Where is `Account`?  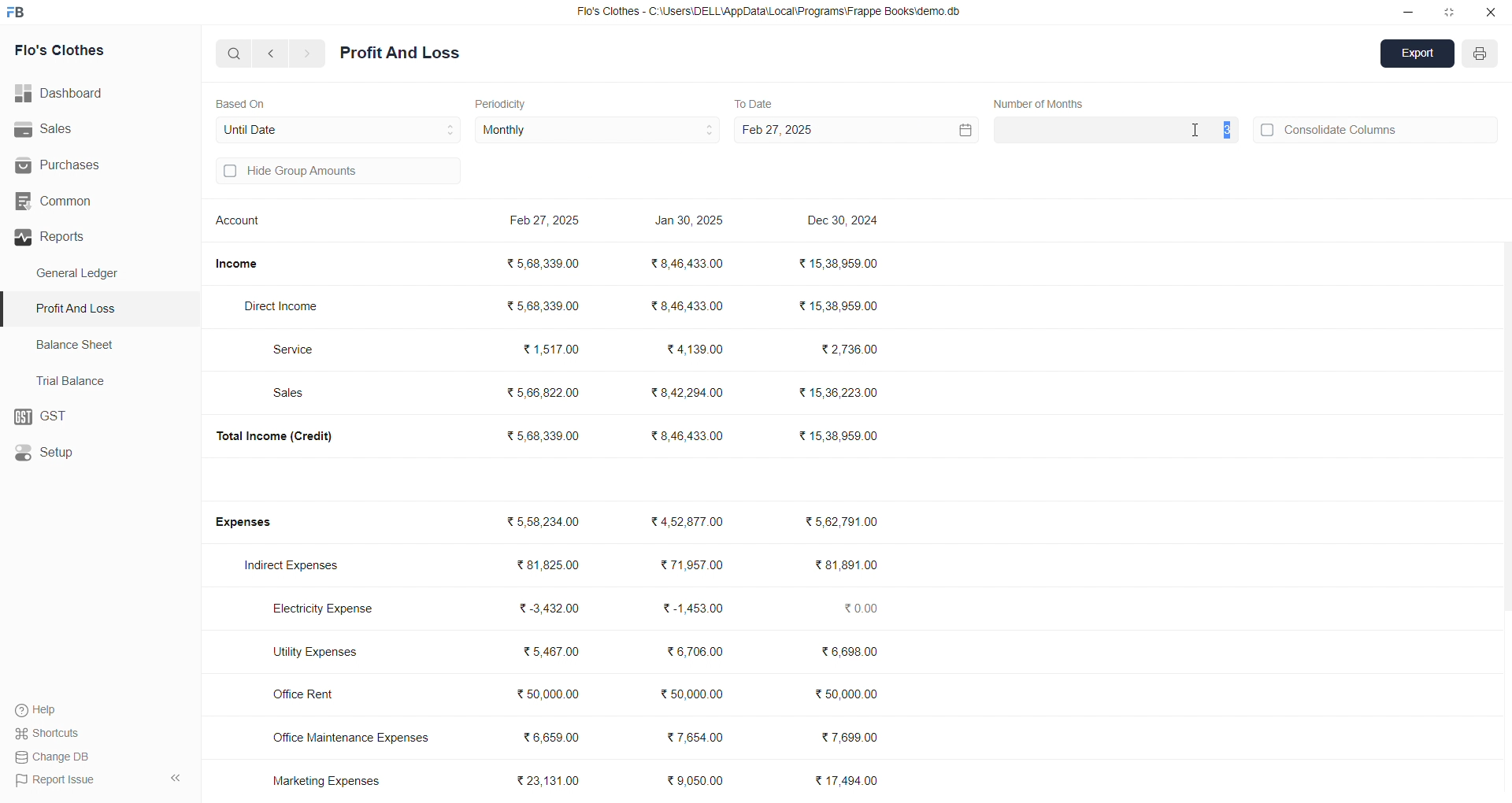 Account is located at coordinates (242, 223).